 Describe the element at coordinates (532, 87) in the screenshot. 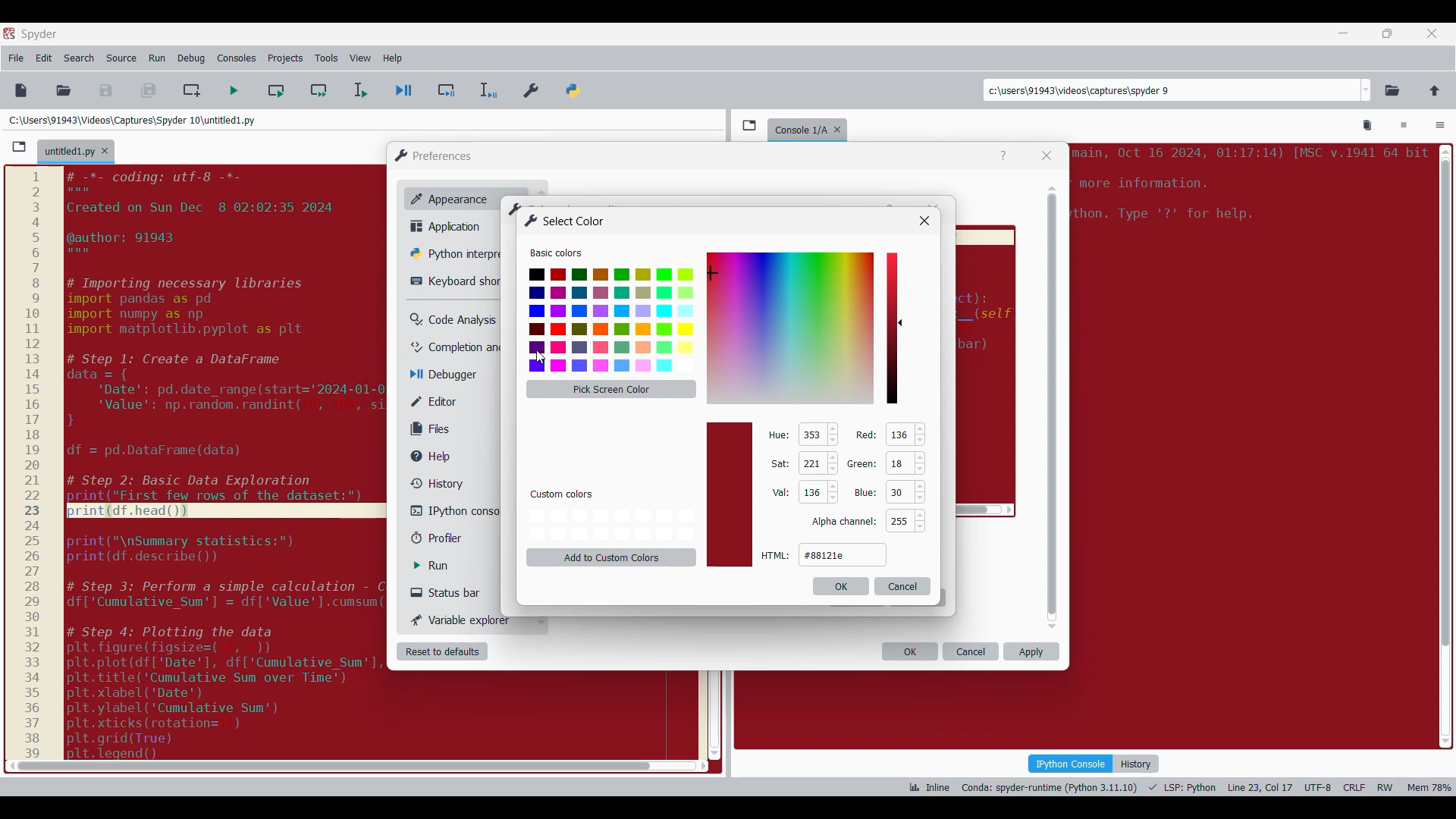

I see `Preferences` at that location.